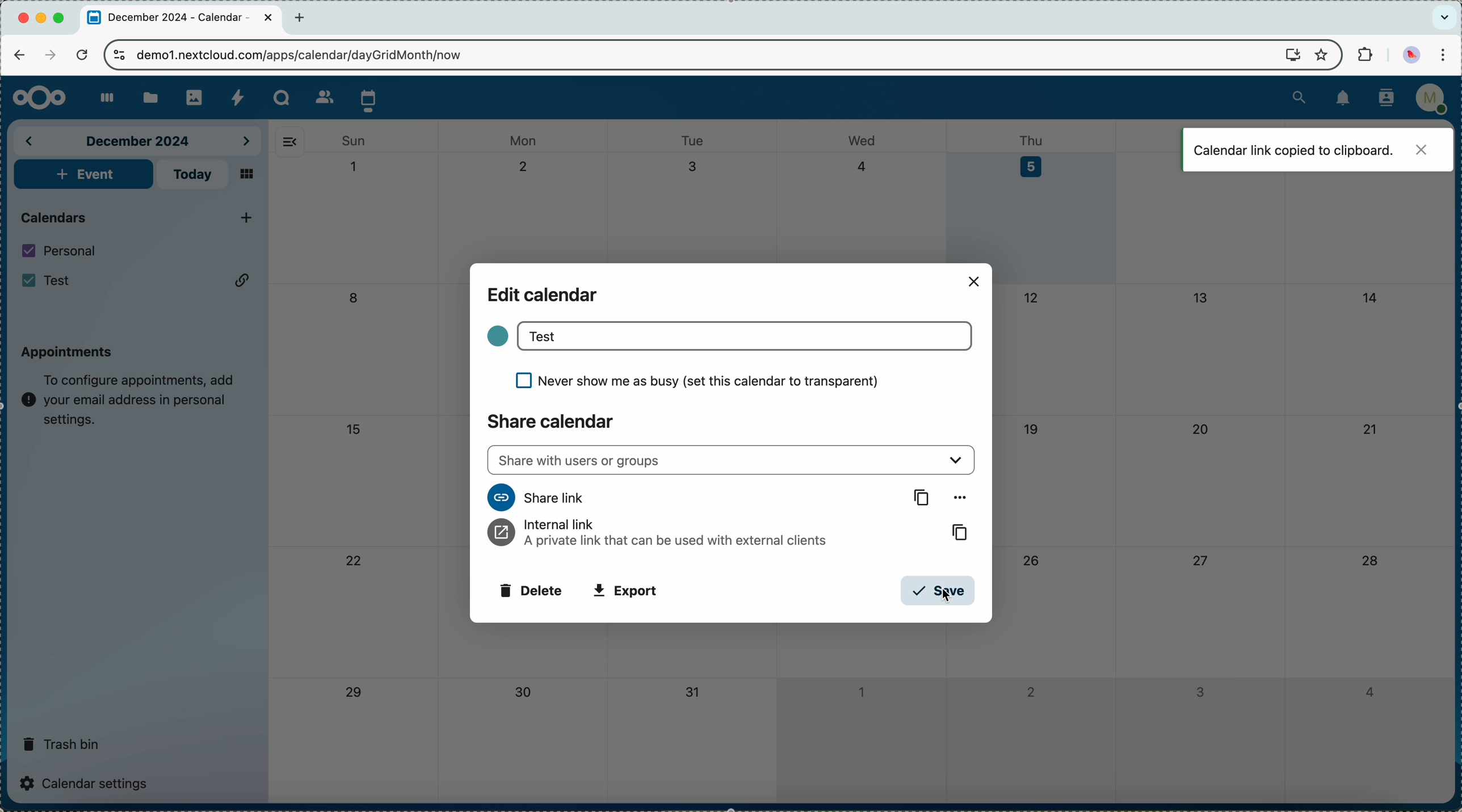  What do you see at coordinates (61, 18) in the screenshot?
I see `maximize` at bounding box center [61, 18].